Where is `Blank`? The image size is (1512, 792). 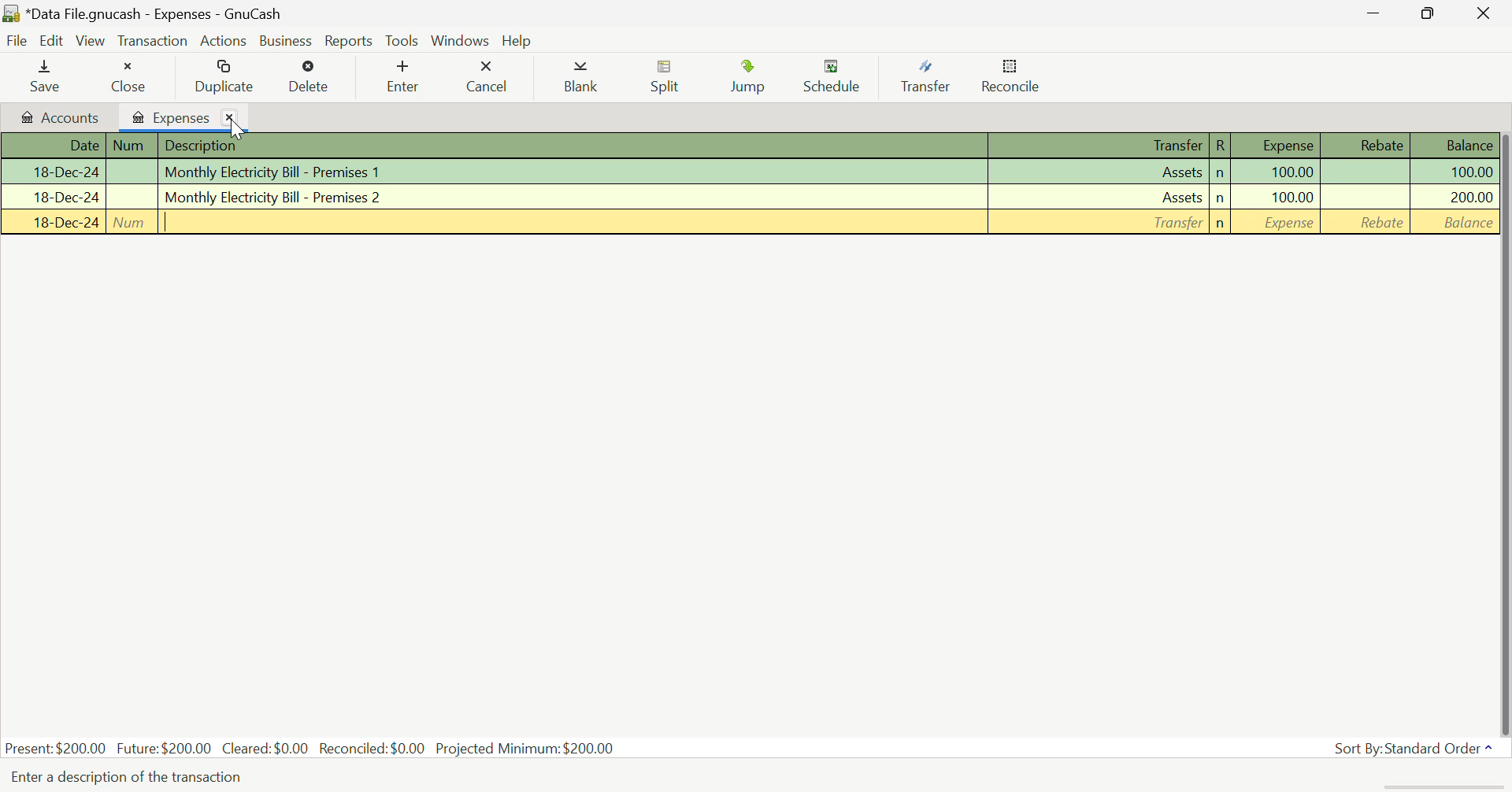 Blank is located at coordinates (580, 77).